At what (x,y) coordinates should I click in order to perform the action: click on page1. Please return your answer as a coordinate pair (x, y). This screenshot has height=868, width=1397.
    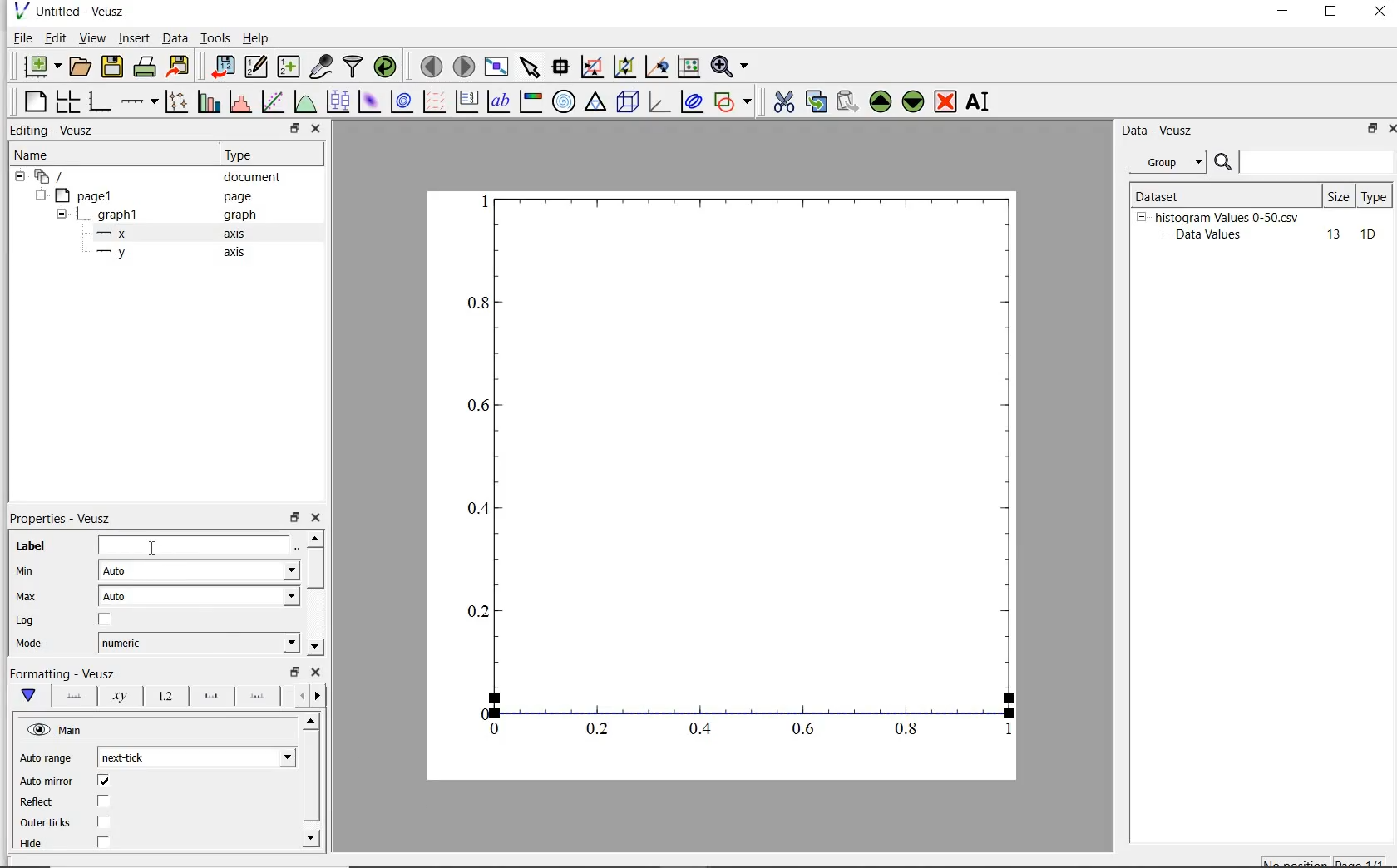
    Looking at the image, I should click on (87, 197).